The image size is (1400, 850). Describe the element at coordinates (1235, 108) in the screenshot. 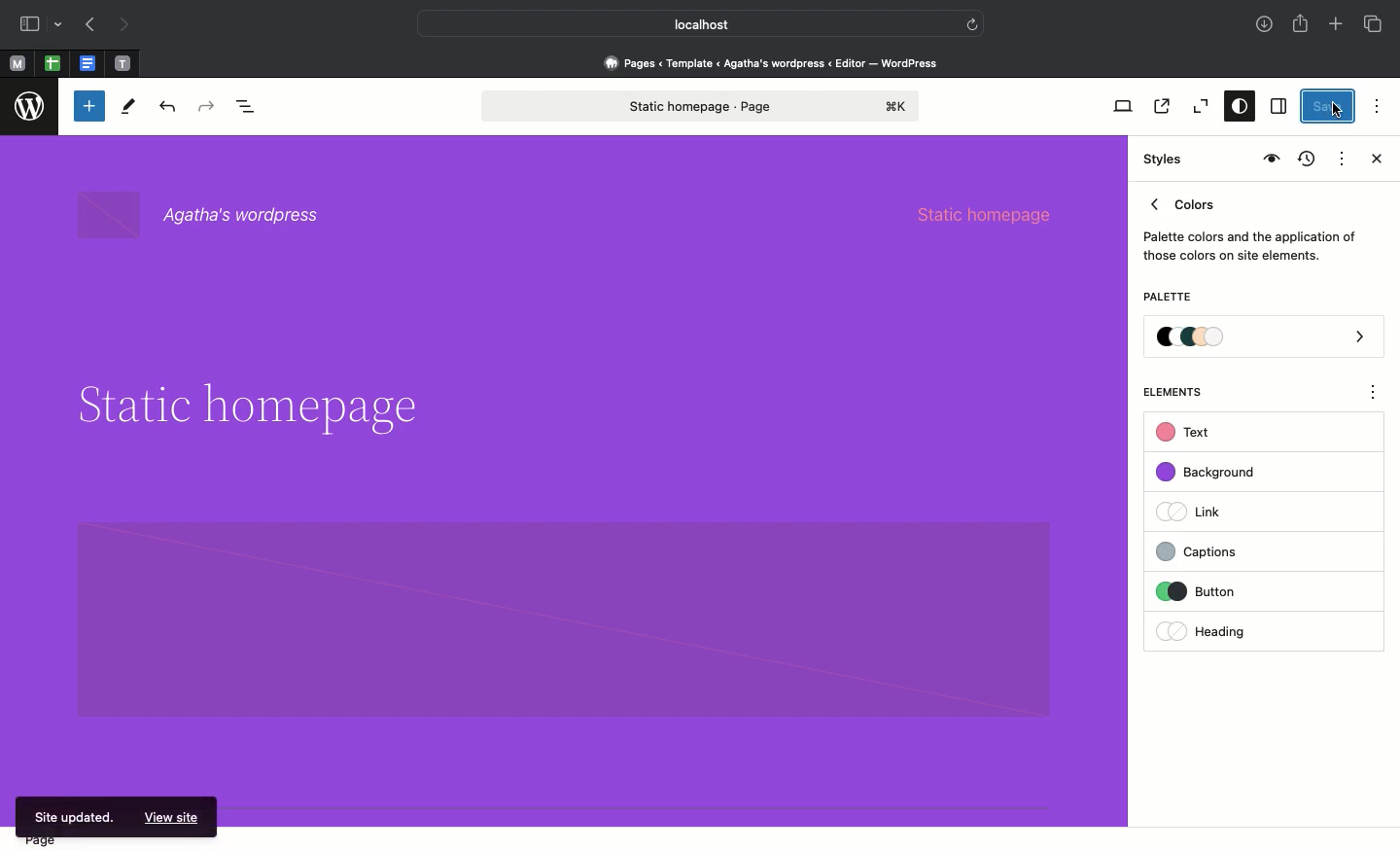

I see `Styles` at that location.